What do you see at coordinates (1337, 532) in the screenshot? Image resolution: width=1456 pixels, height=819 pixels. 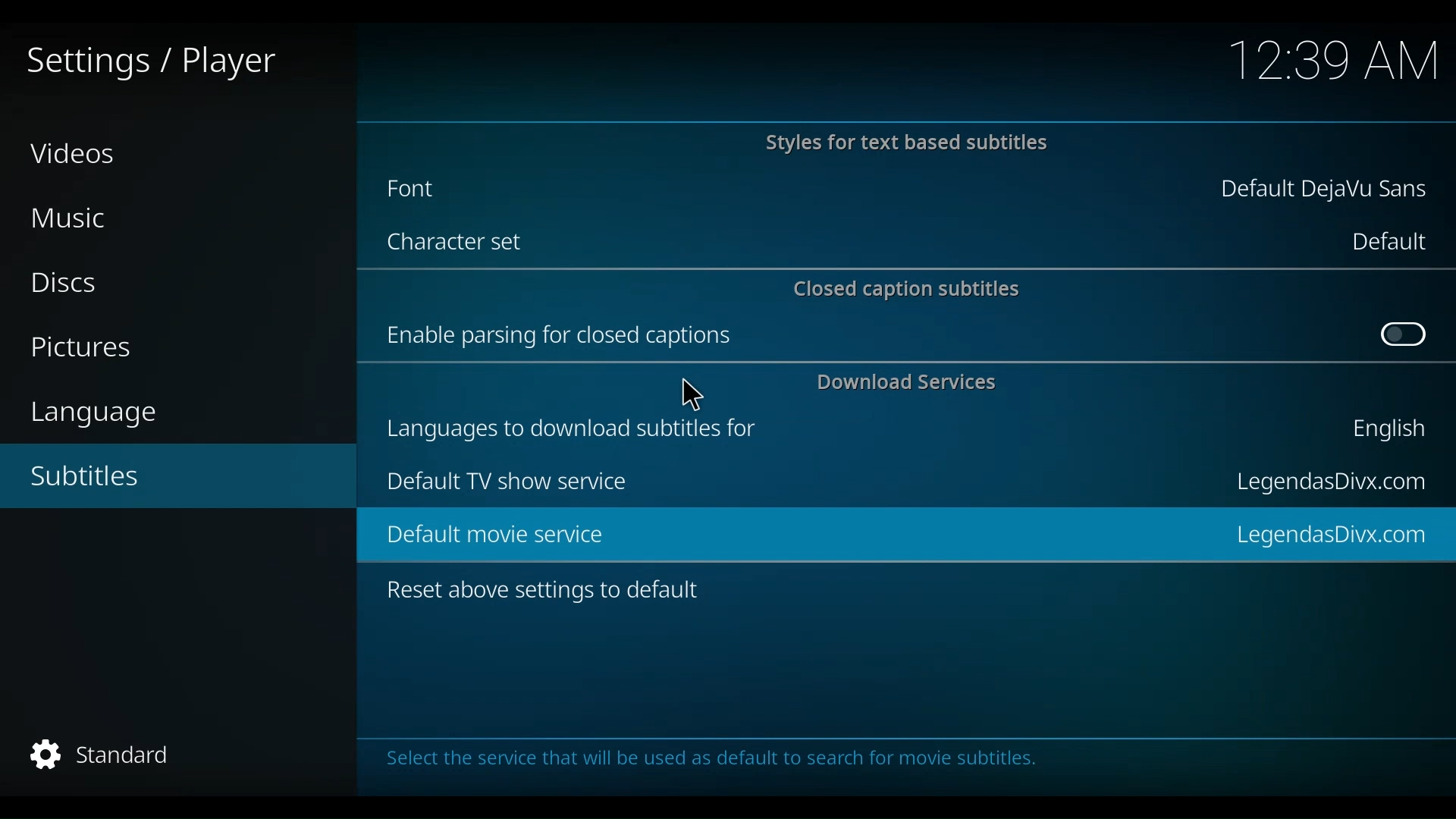 I see `Lengedas.Dix.com` at bounding box center [1337, 532].